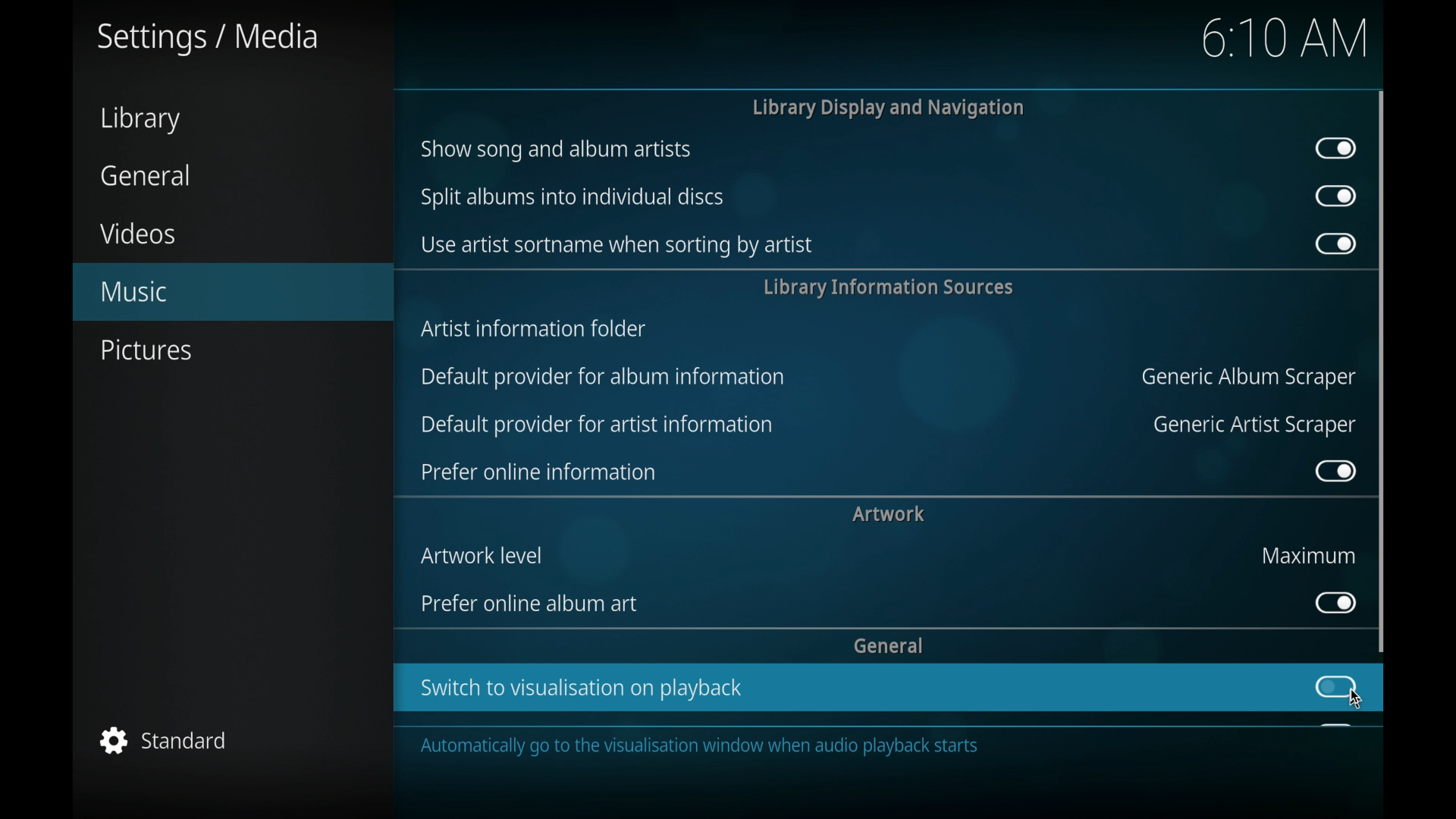  Describe the element at coordinates (1356, 703) in the screenshot. I see `cursor` at that location.